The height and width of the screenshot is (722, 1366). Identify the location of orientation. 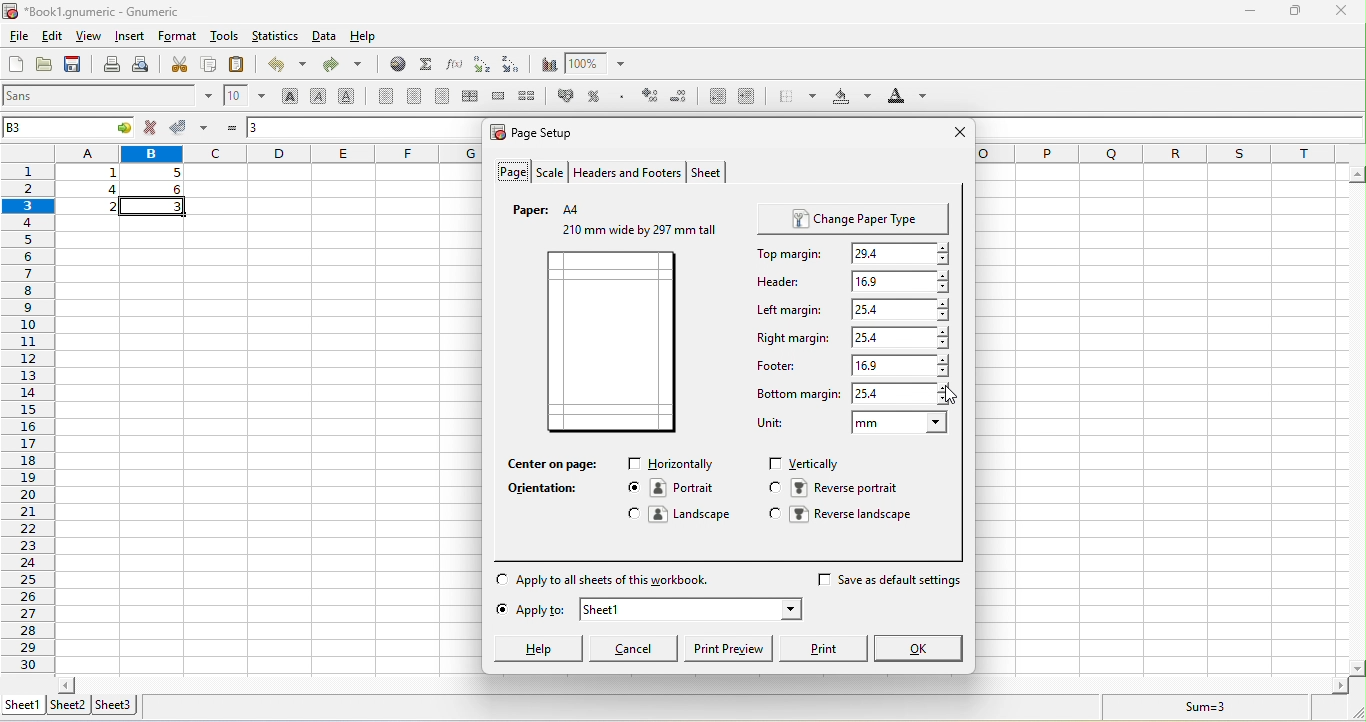
(552, 489).